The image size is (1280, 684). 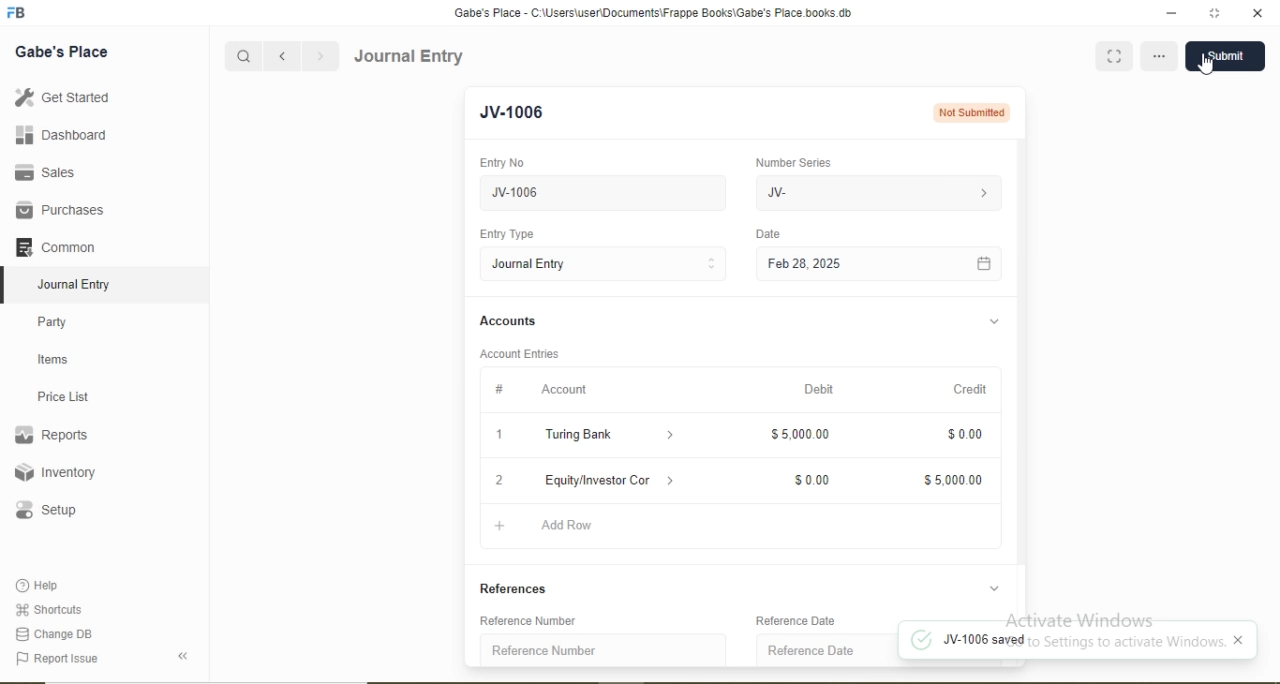 What do you see at coordinates (813, 481) in the screenshot?
I see `$0.00` at bounding box center [813, 481].